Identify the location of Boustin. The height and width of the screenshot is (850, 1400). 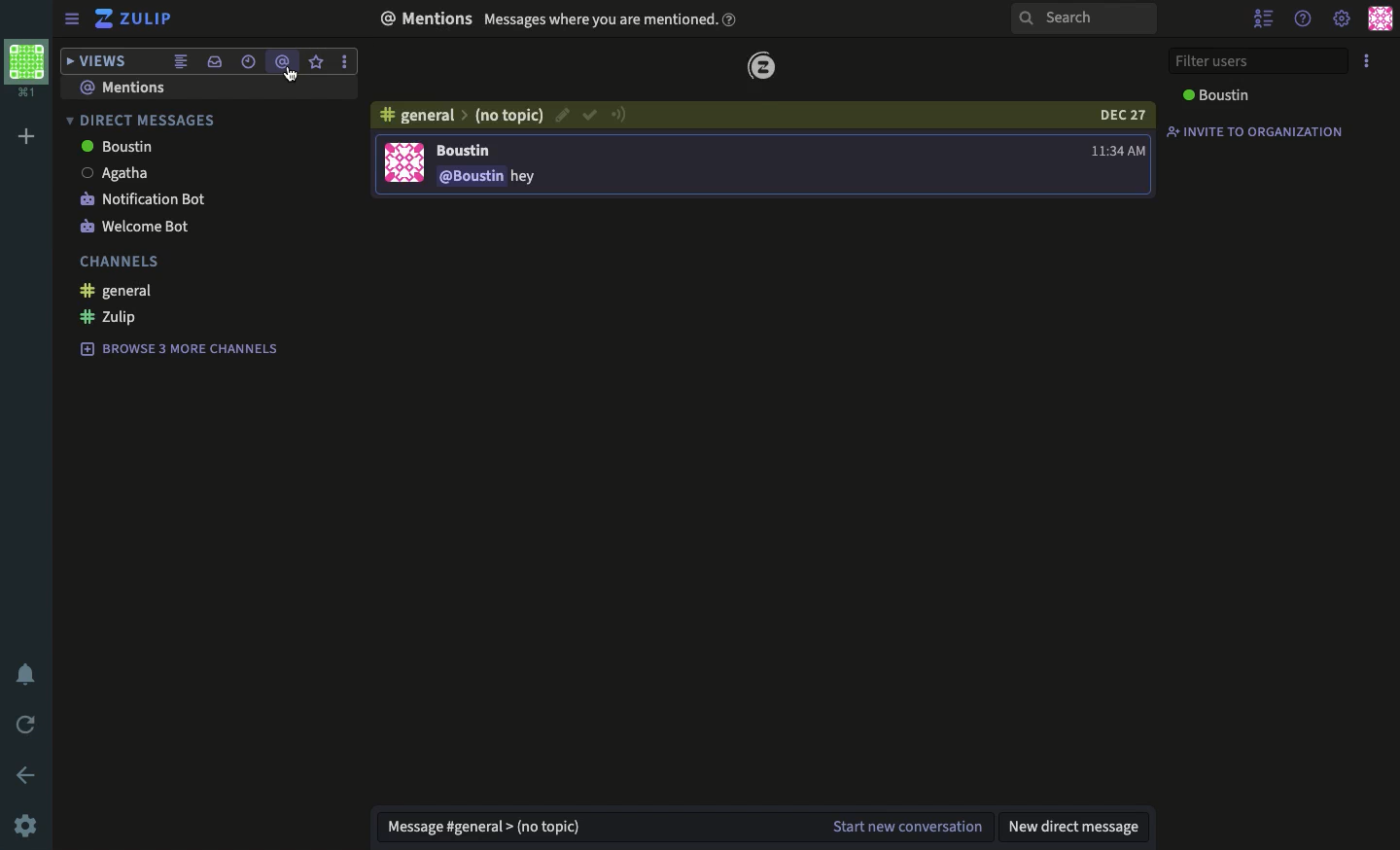
(1220, 93).